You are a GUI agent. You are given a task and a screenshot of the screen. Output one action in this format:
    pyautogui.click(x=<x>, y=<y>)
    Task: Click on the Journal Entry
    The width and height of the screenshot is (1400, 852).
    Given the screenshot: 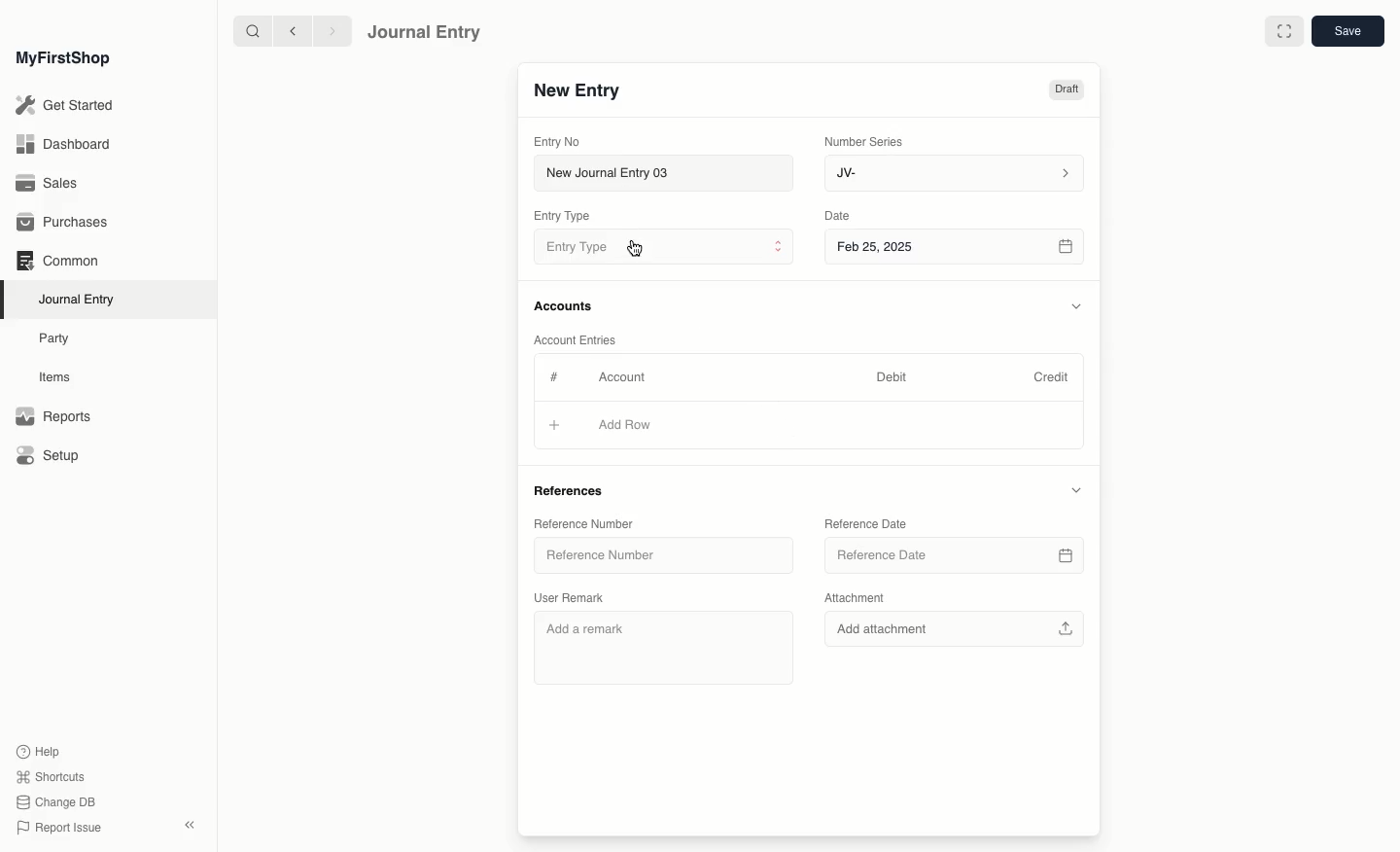 What is the action you would take?
    pyautogui.click(x=82, y=299)
    